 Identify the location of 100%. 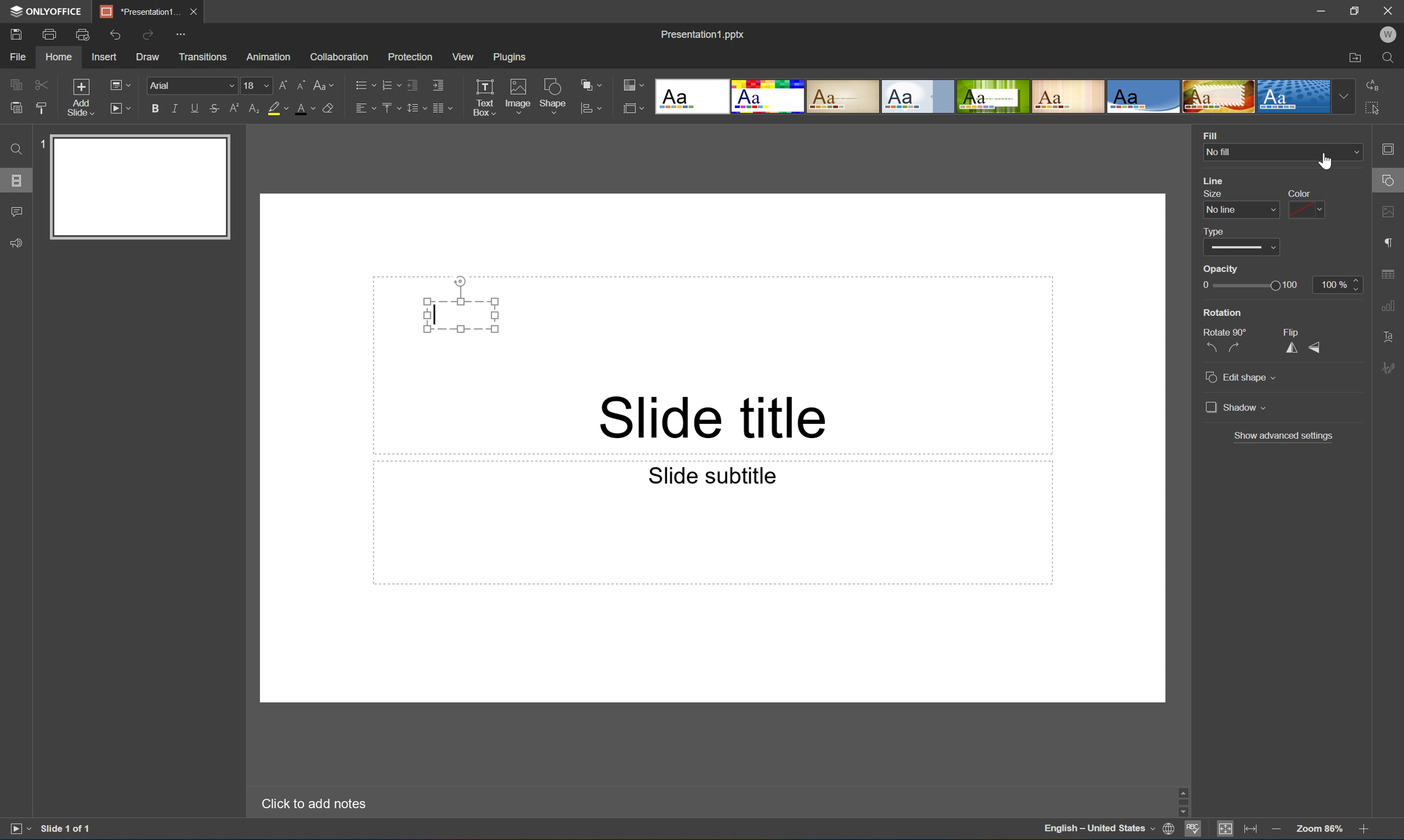
(1340, 284).